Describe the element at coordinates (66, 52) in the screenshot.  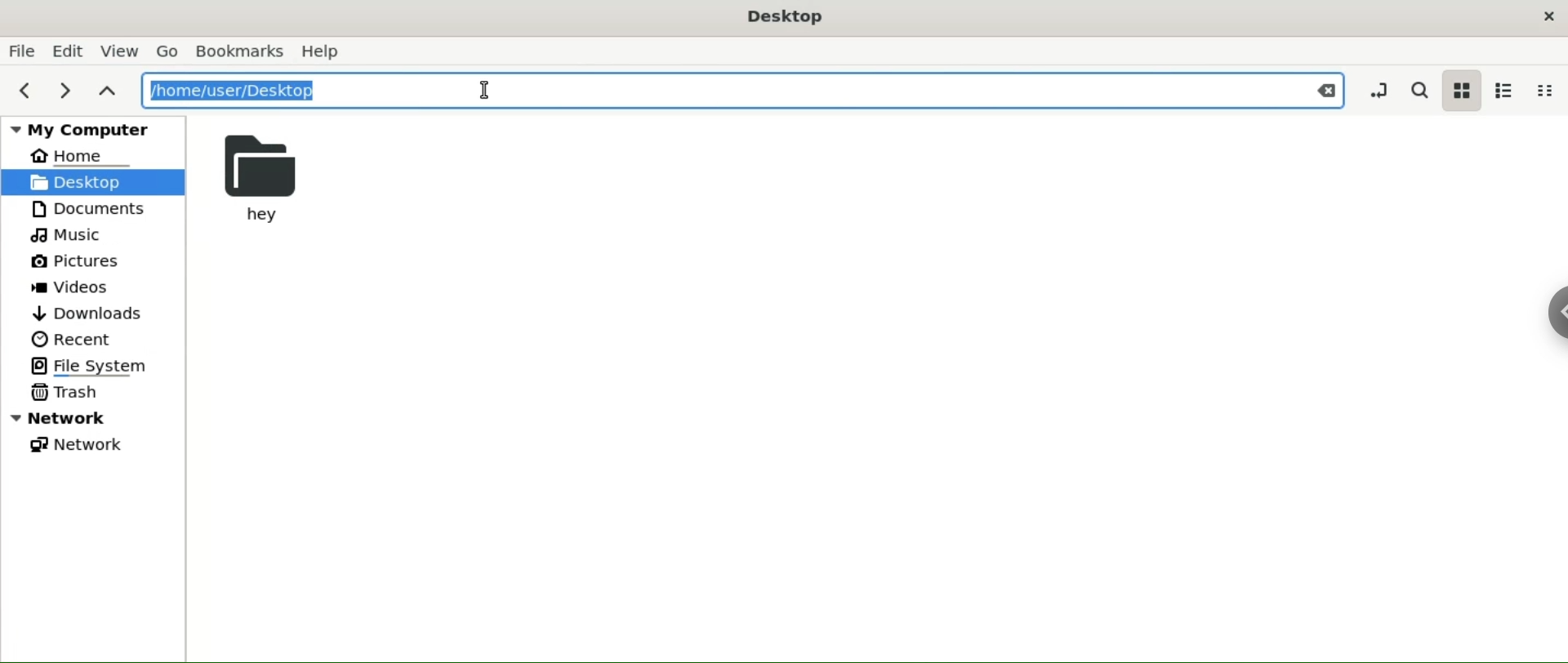
I see `edit` at that location.